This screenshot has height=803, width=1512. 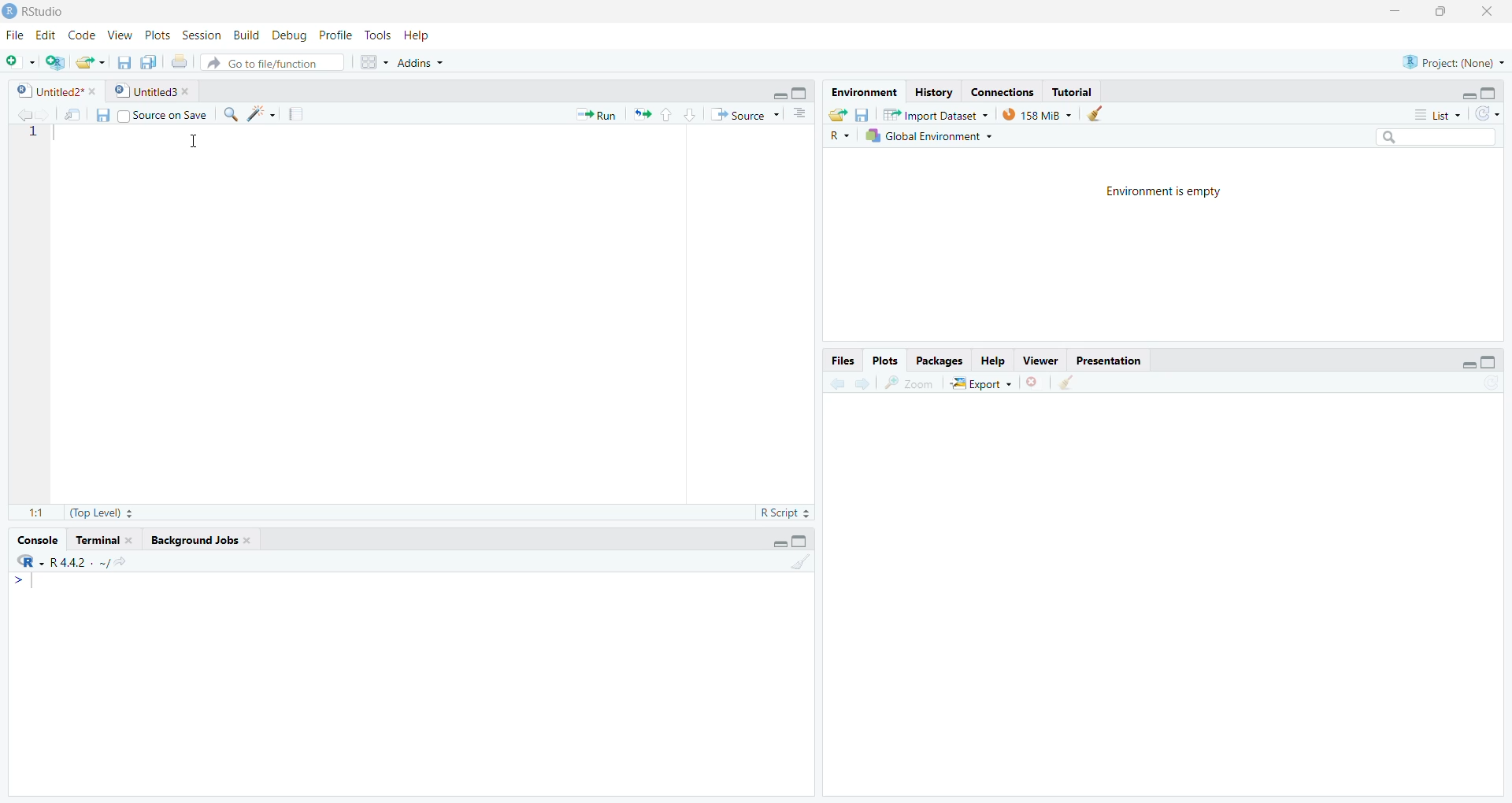 What do you see at coordinates (81, 561) in the screenshot?
I see `R-4.A.2.-` at bounding box center [81, 561].